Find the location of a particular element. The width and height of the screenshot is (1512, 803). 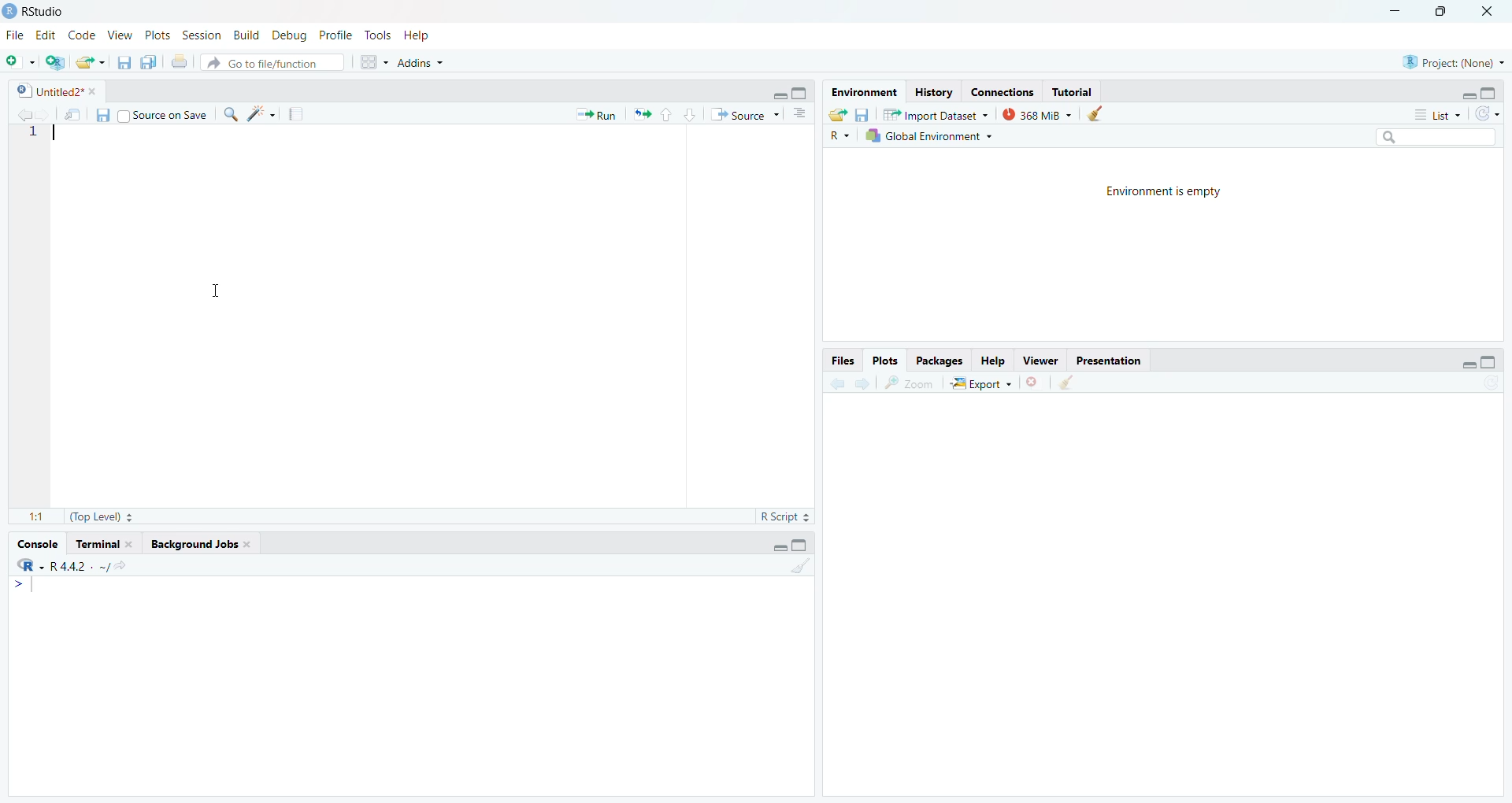

Global Environment + is located at coordinates (929, 136).